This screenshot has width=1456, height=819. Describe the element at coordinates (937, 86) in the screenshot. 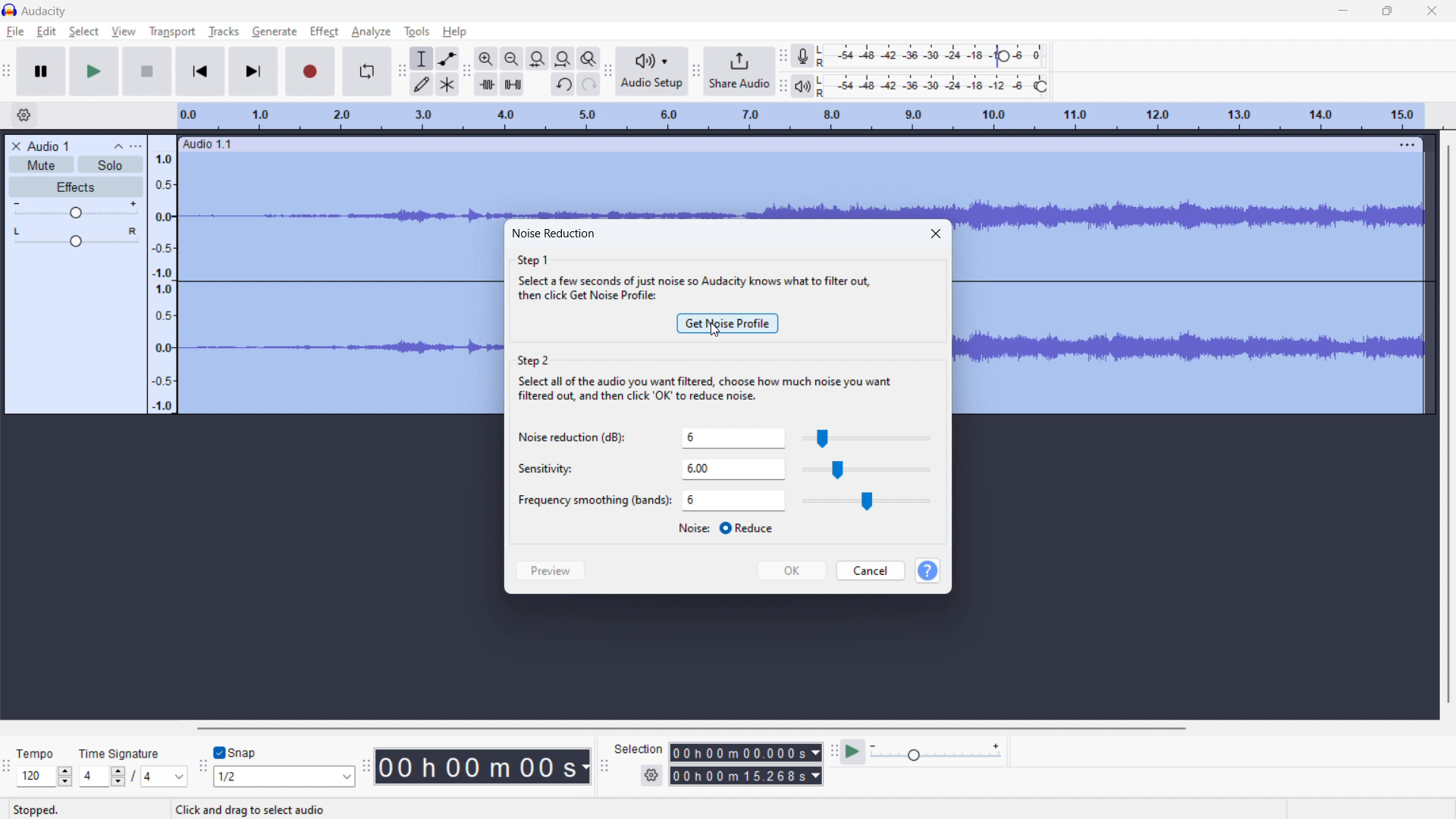

I see `playback meter` at that location.